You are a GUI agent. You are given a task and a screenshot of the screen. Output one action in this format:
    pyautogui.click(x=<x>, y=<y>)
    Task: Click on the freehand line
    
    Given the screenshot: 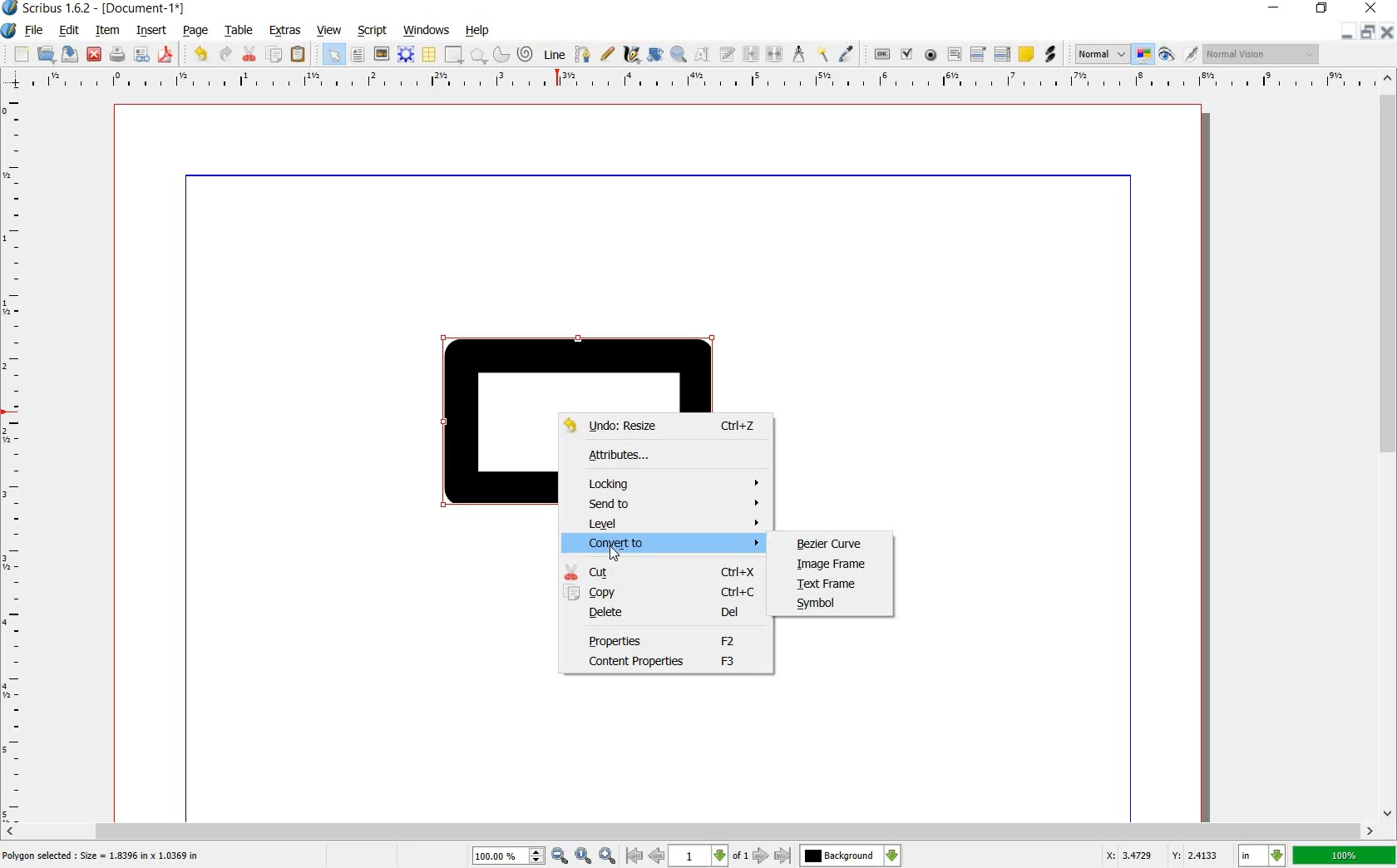 What is the action you would take?
    pyautogui.click(x=608, y=55)
    